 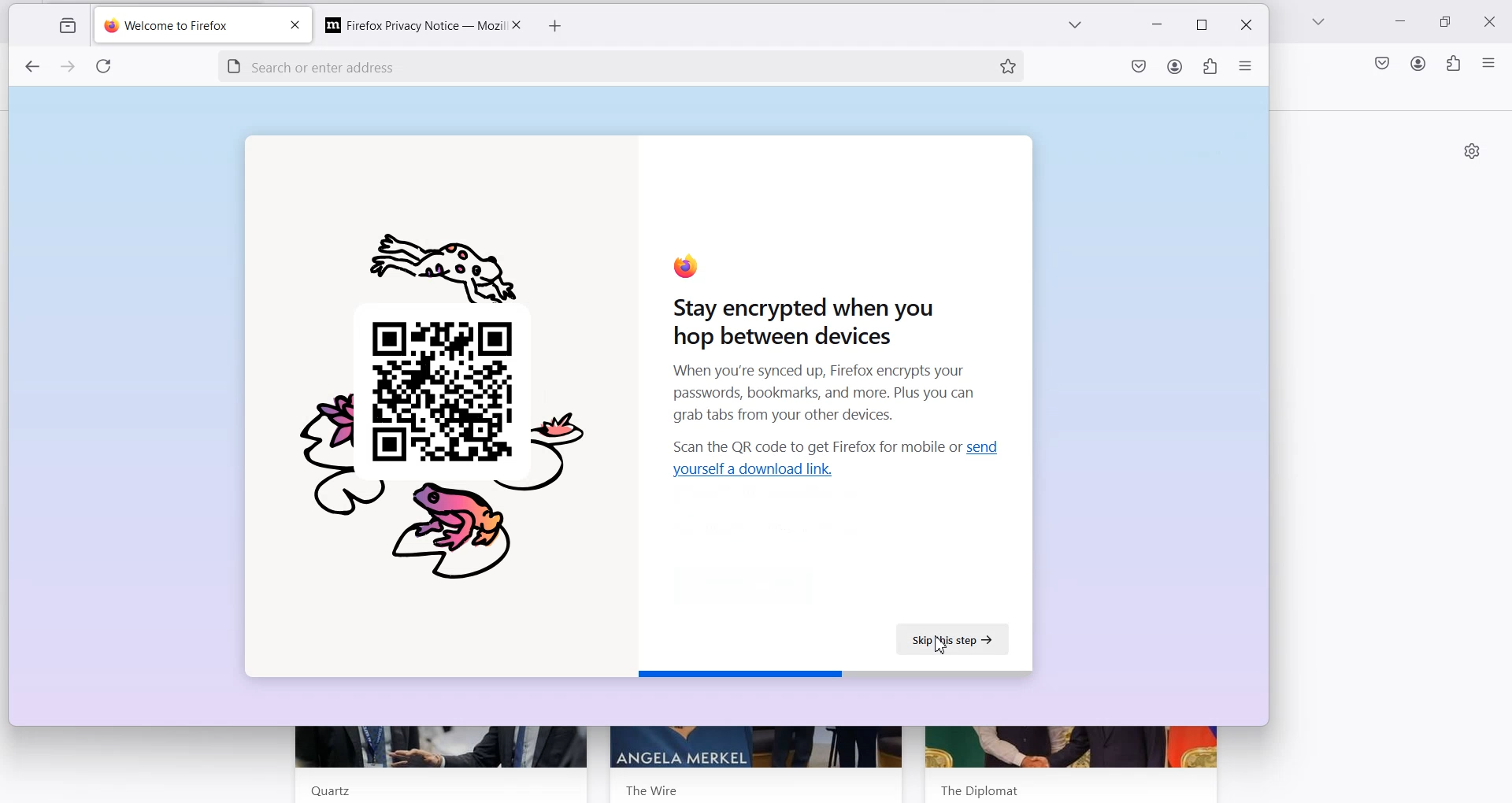 I want to click on List all tab, so click(x=1319, y=23).